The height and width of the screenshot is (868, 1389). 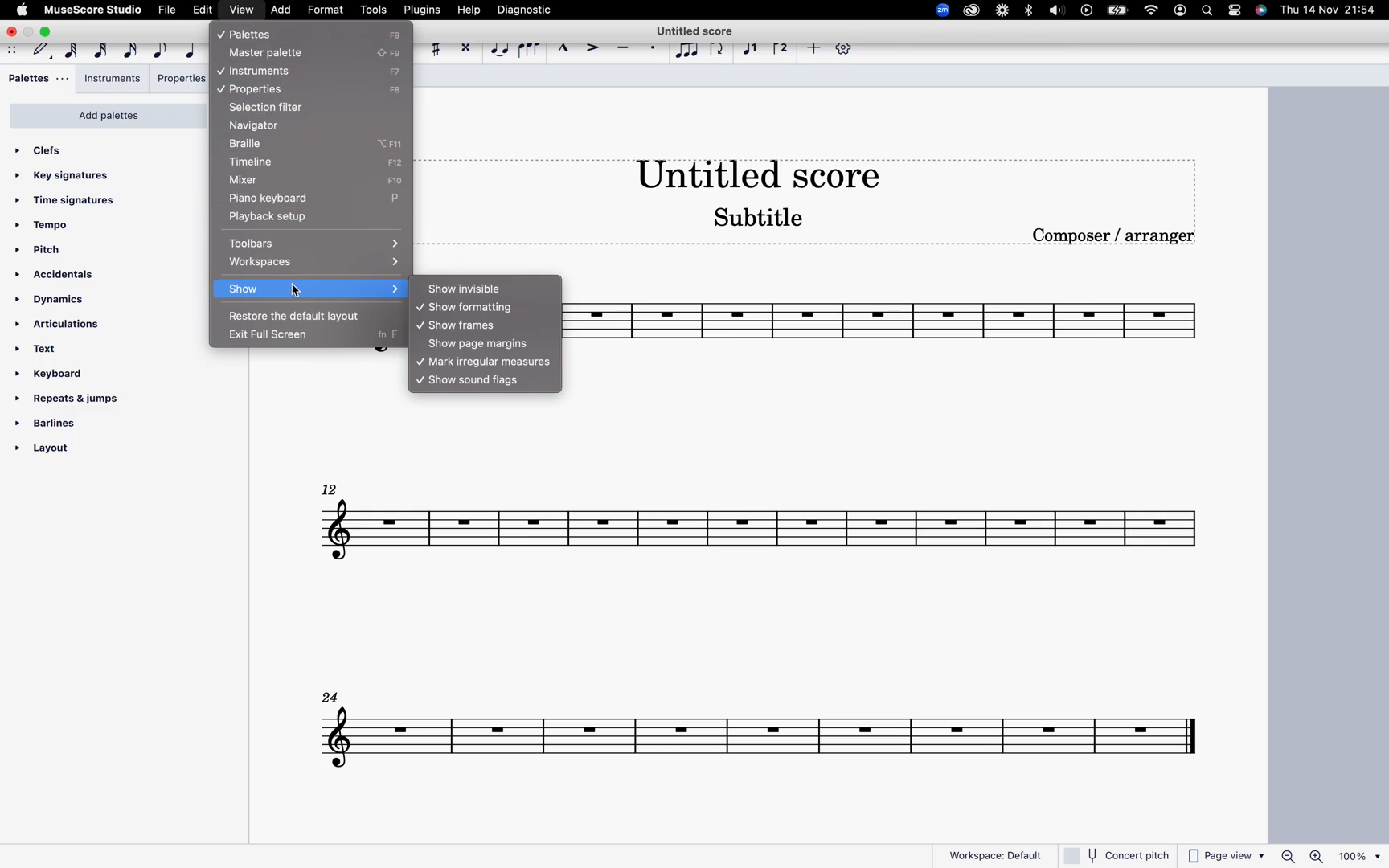 What do you see at coordinates (813, 50) in the screenshot?
I see `more` at bounding box center [813, 50].